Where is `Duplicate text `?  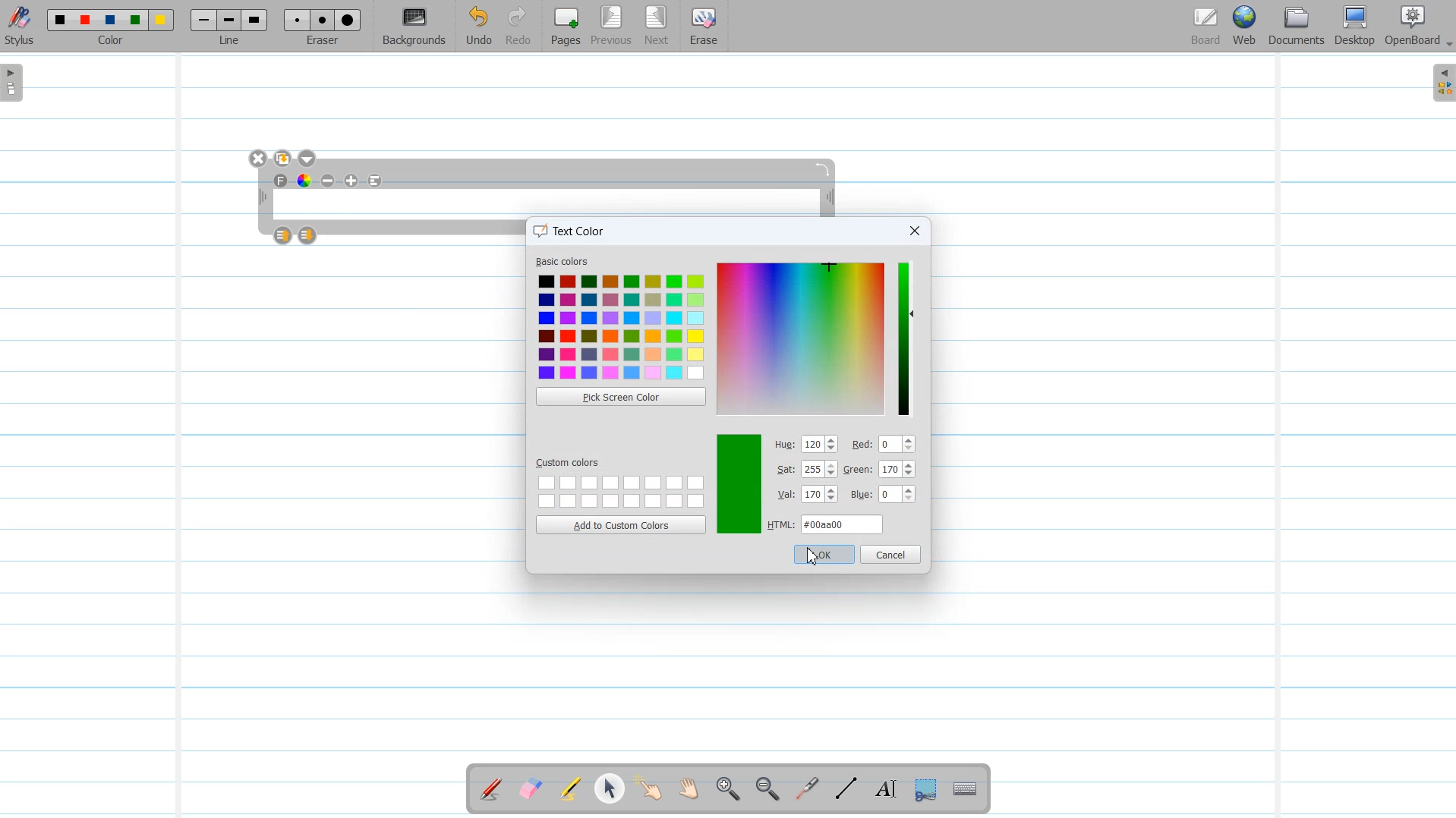
Duplicate text  is located at coordinates (284, 159).